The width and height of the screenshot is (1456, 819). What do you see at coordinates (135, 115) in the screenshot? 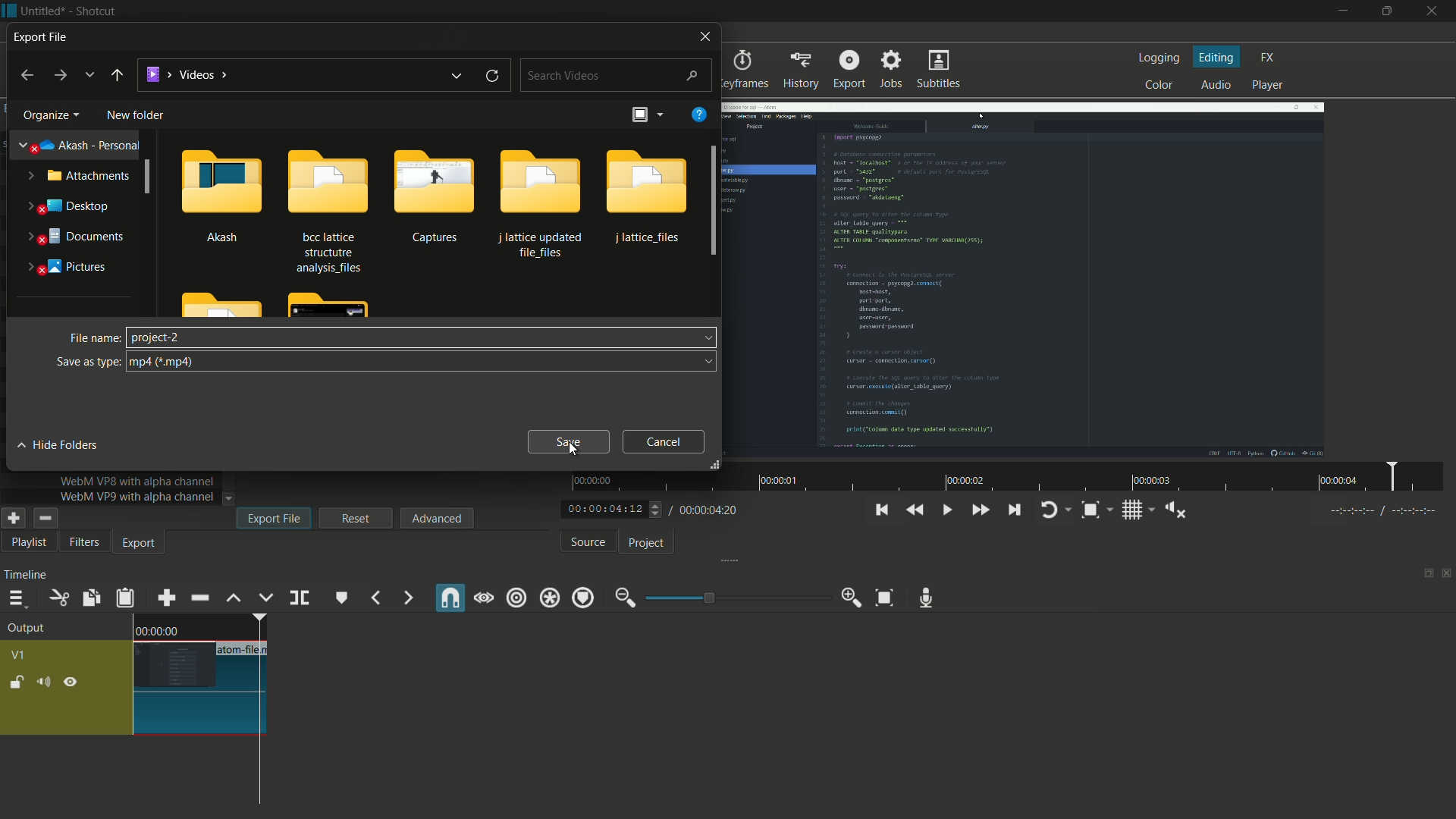
I see `new folder` at bounding box center [135, 115].